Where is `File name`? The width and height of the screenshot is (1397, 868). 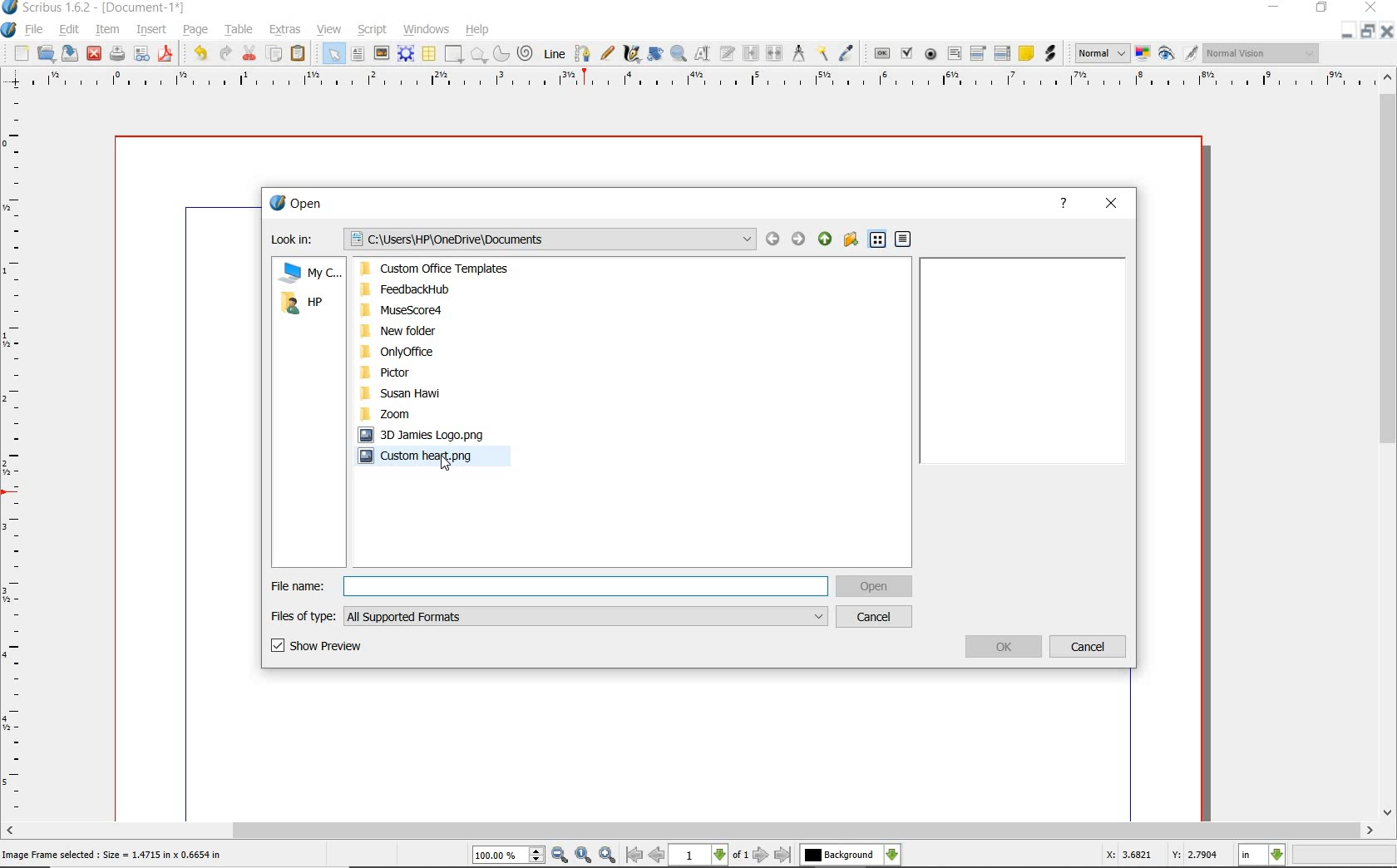 File name is located at coordinates (549, 586).